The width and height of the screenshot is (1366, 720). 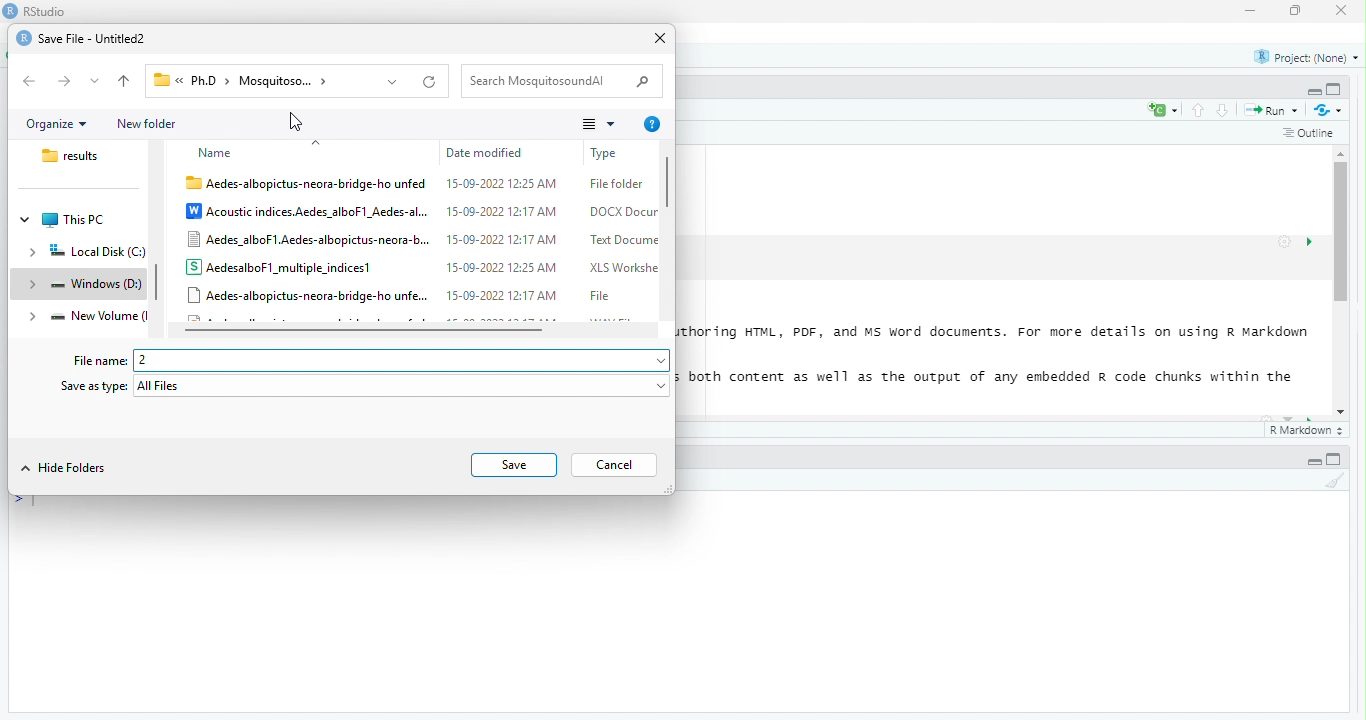 What do you see at coordinates (1224, 110) in the screenshot?
I see `down` at bounding box center [1224, 110].